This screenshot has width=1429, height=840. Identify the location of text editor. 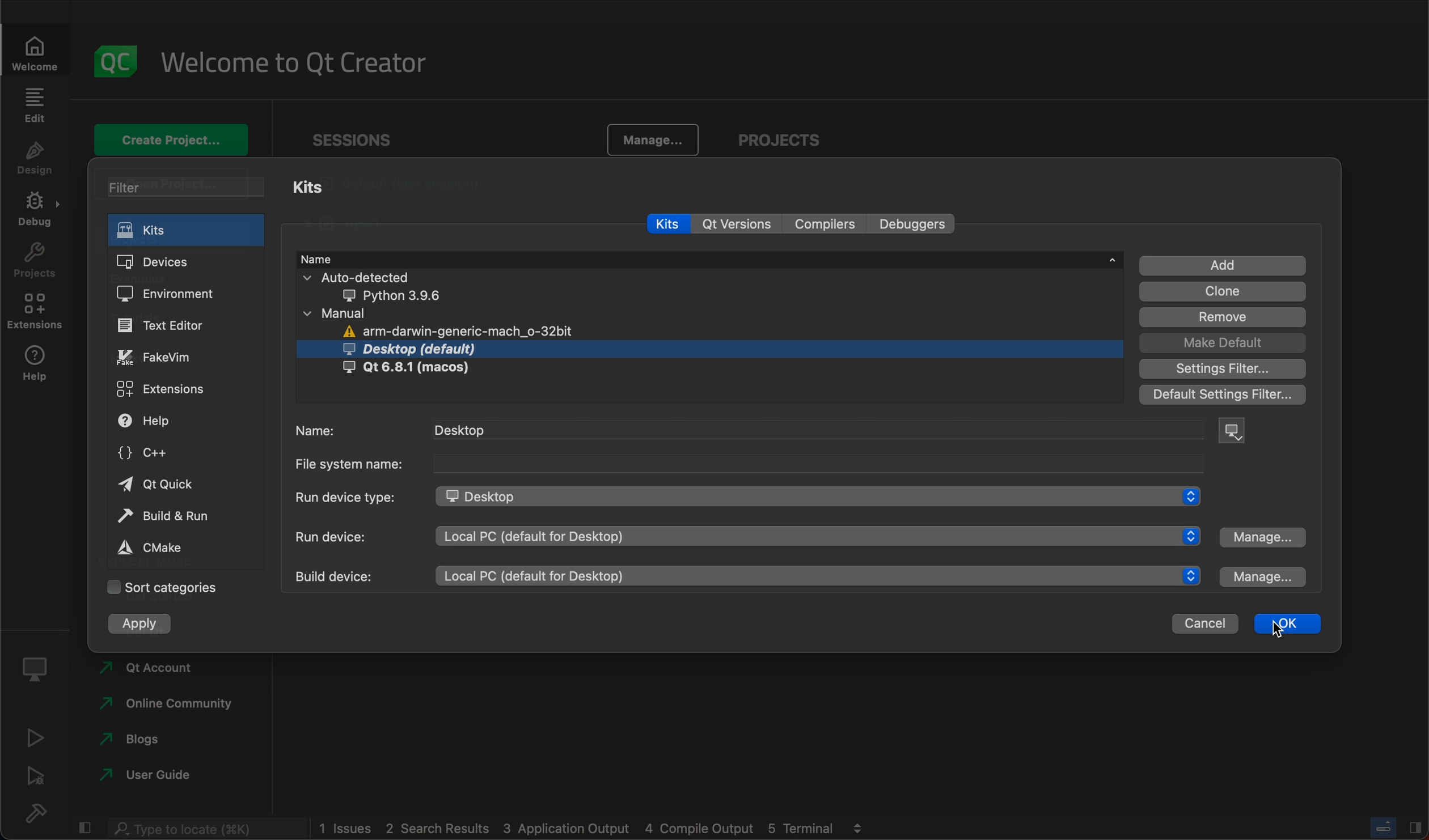
(169, 326).